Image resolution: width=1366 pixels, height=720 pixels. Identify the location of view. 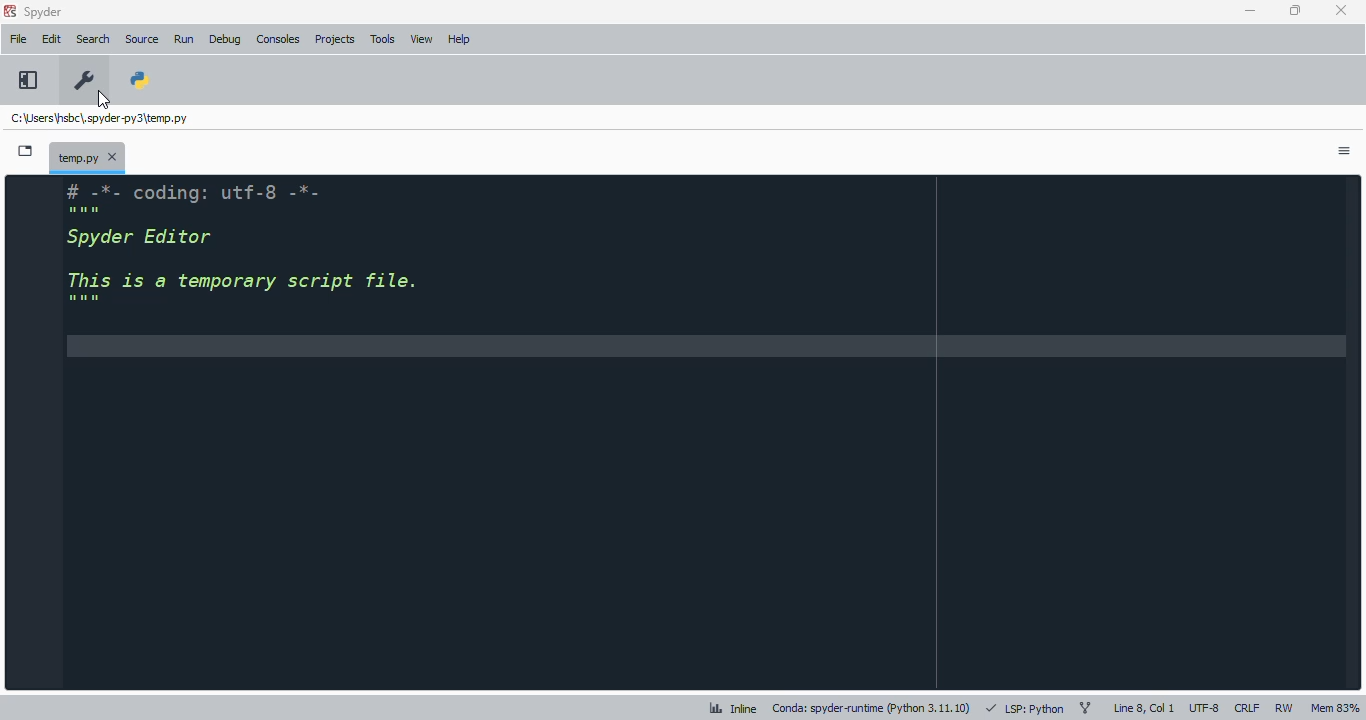
(421, 38).